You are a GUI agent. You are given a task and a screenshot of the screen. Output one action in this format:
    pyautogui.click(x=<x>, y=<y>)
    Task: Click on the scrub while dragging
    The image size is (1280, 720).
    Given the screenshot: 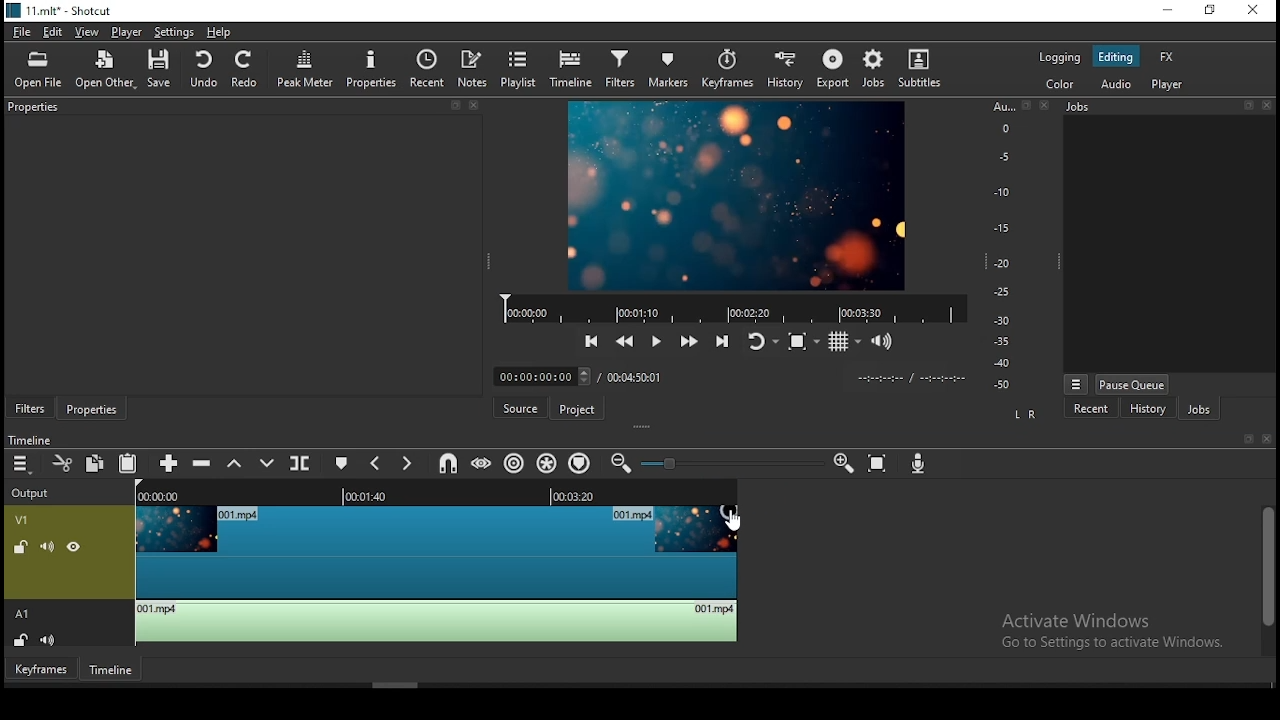 What is the action you would take?
    pyautogui.click(x=484, y=463)
    